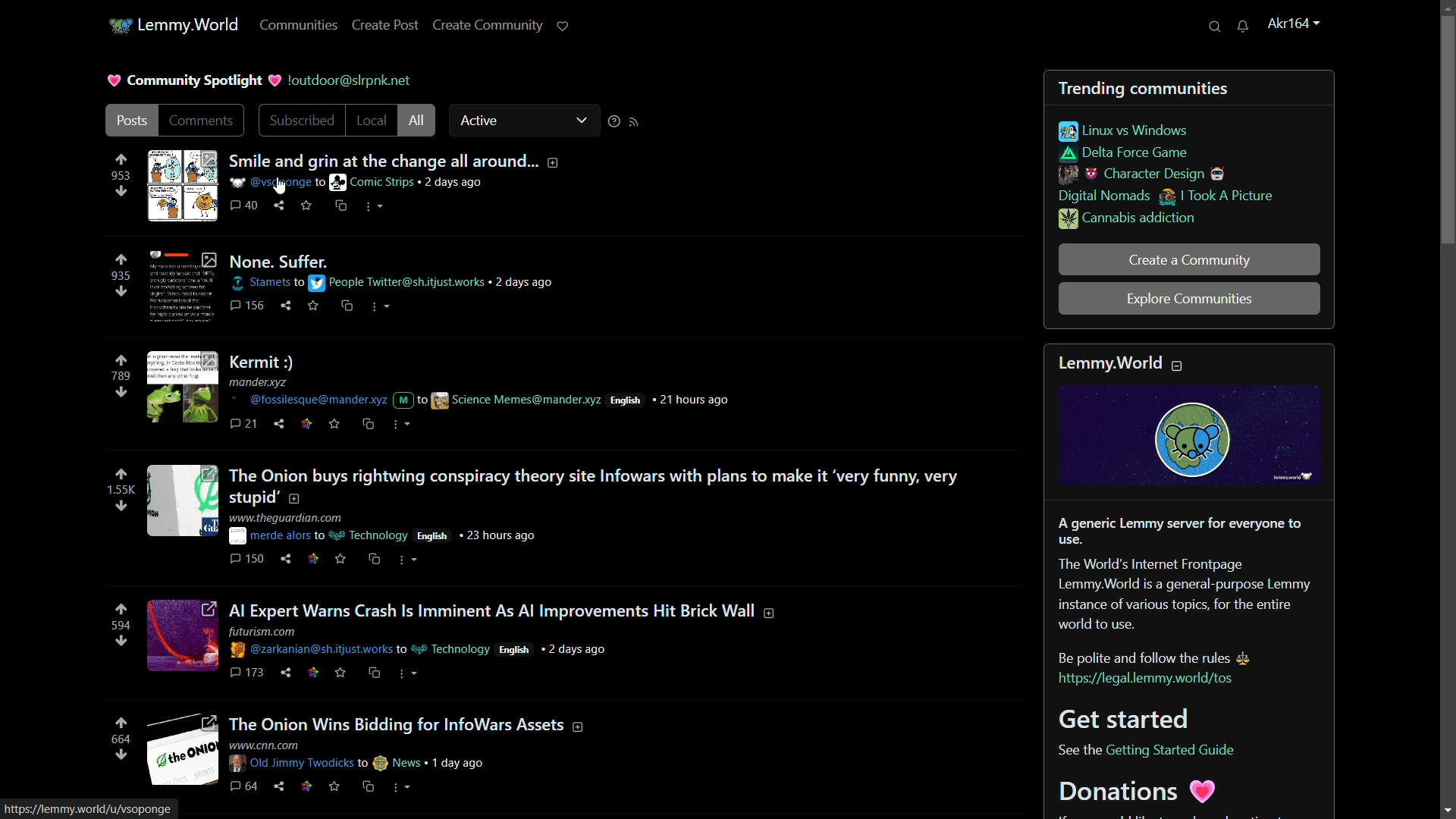  I want to click on more, so click(409, 560).